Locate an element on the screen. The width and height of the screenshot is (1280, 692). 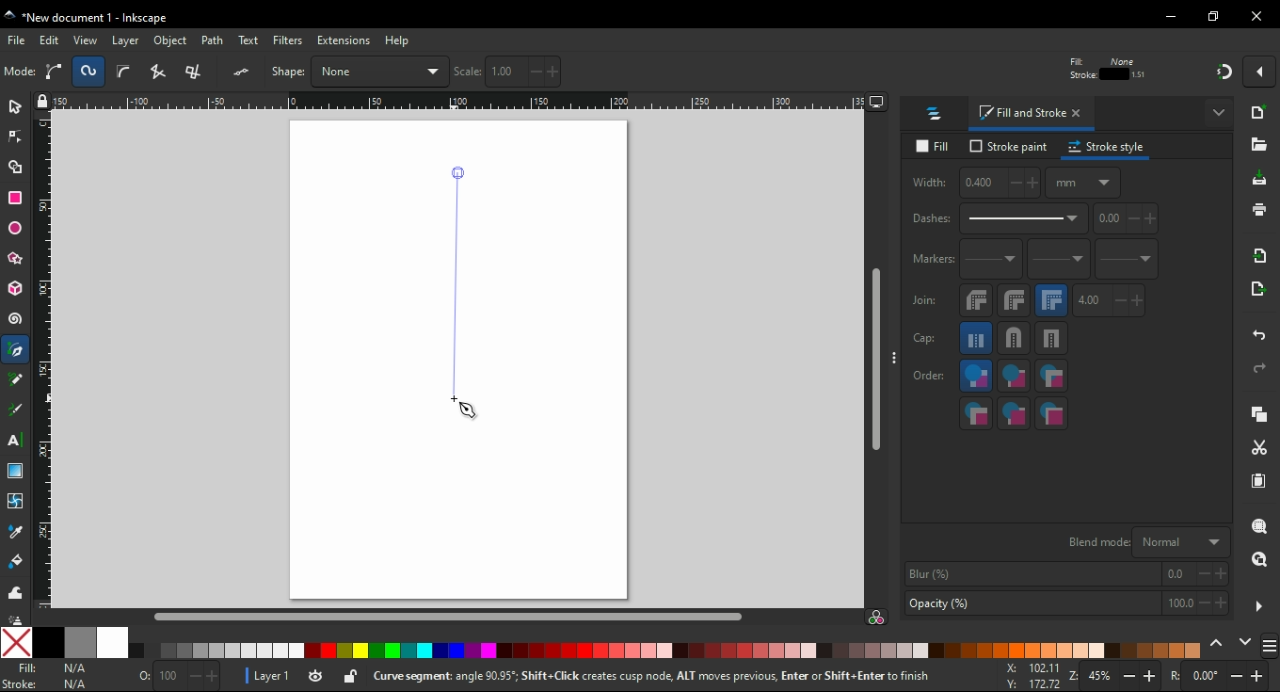
select all in all layers is located at coordinates (57, 71).